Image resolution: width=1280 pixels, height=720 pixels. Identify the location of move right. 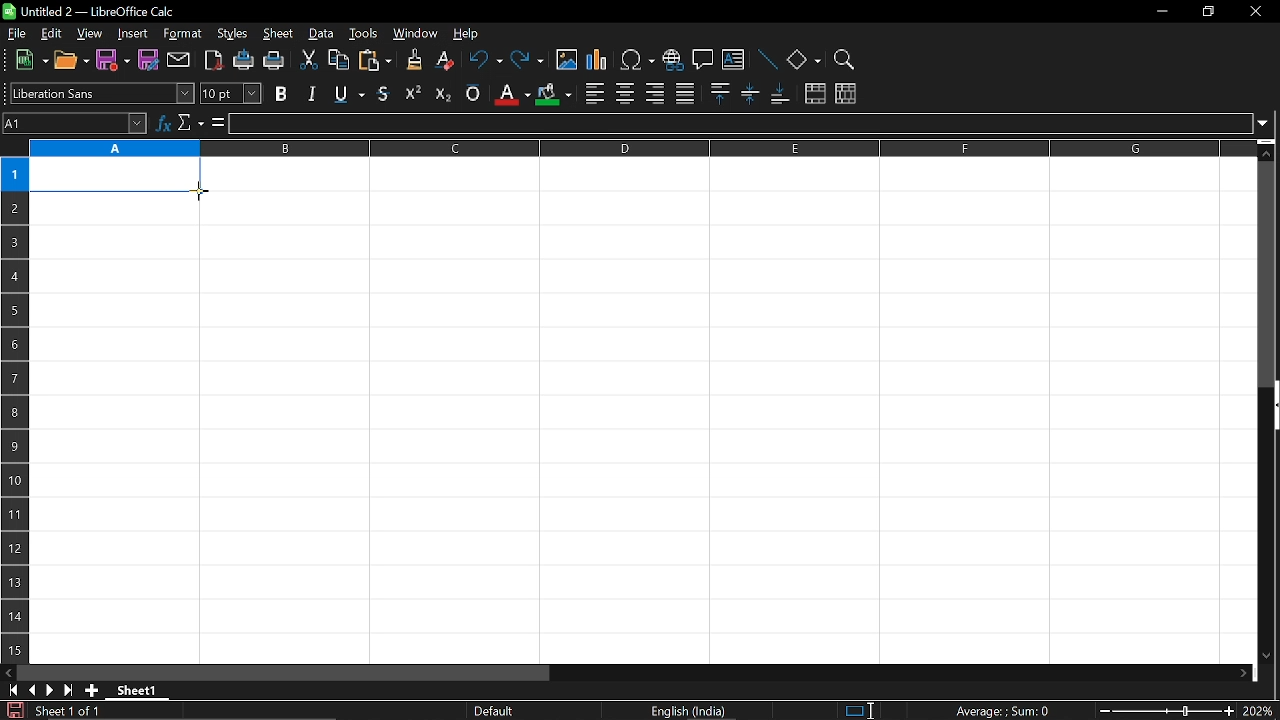
(1245, 672).